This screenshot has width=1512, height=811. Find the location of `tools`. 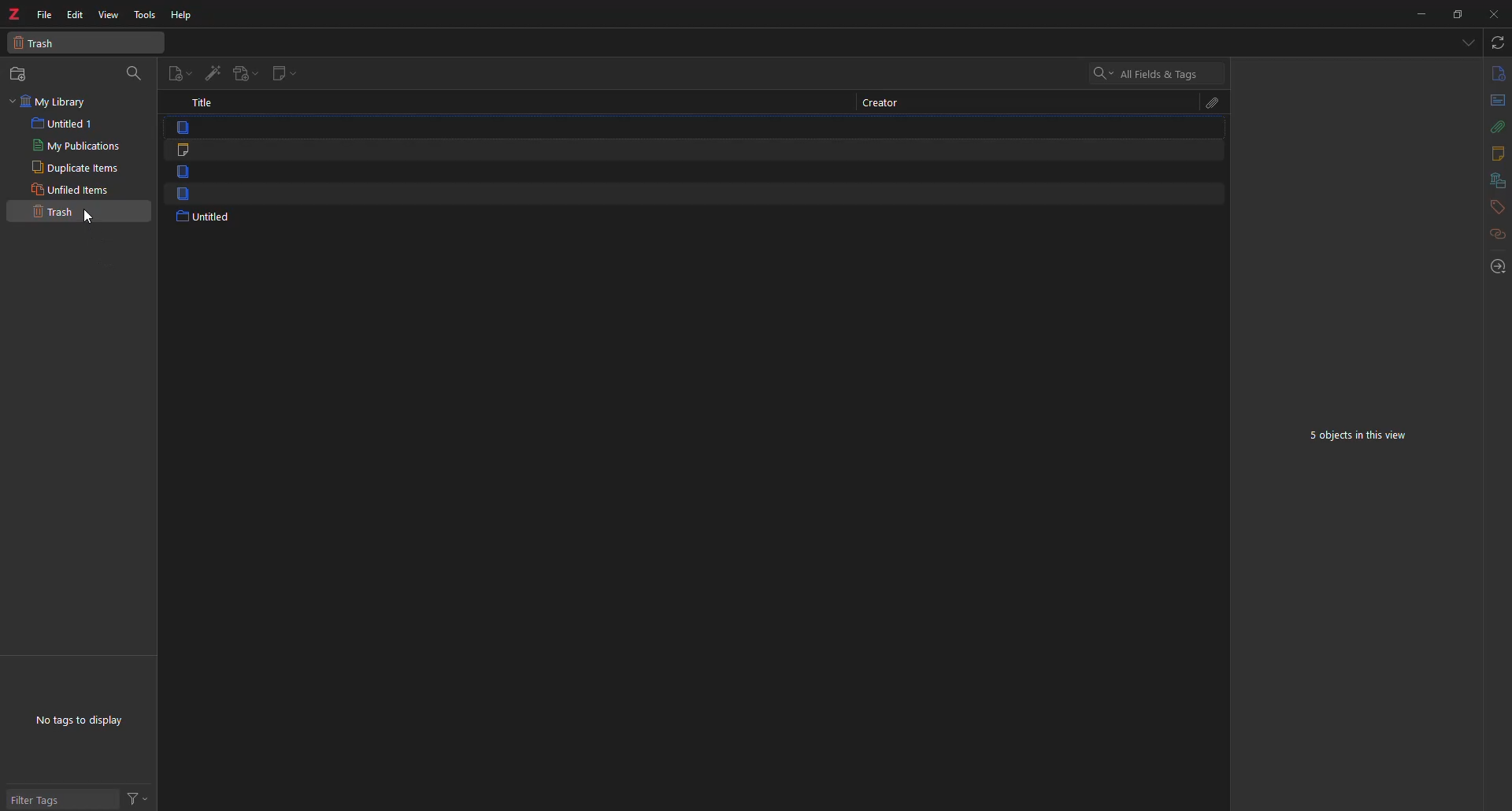

tools is located at coordinates (145, 15).